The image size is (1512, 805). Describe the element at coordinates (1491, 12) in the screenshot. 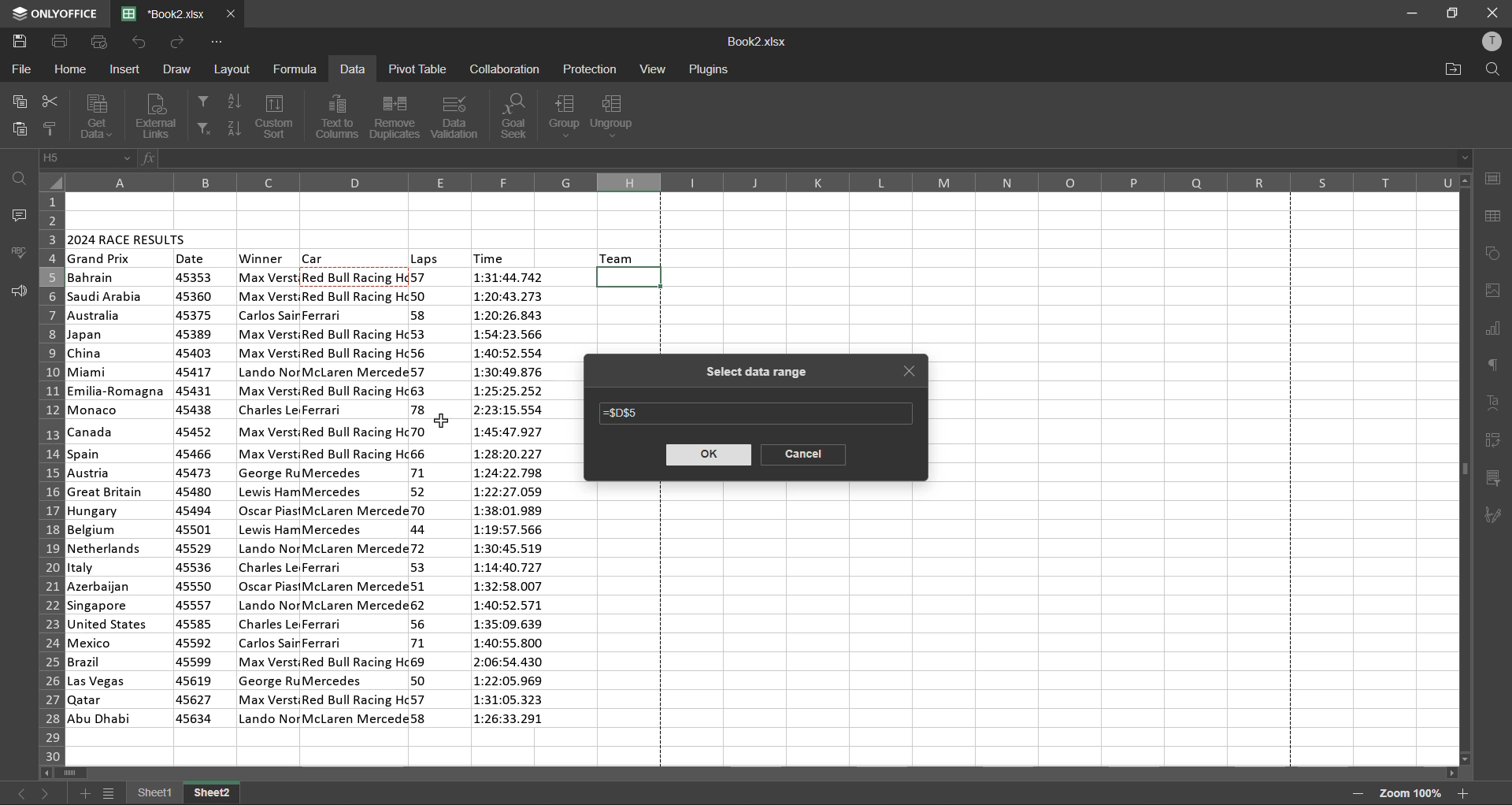

I see `close` at that location.